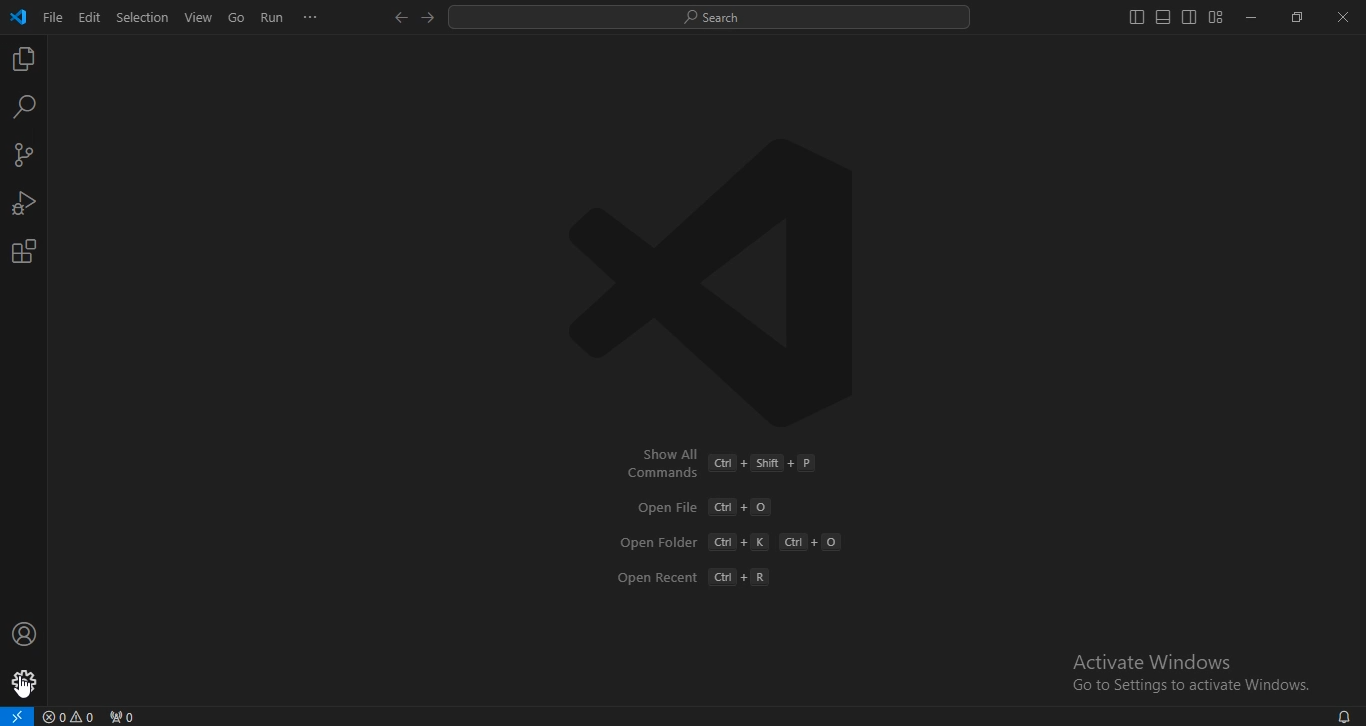 The width and height of the screenshot is (1366, 726). What do you see at coordinates (25, 633) in the screenshot?
I see `accounts` at bounding box center [25, 633].